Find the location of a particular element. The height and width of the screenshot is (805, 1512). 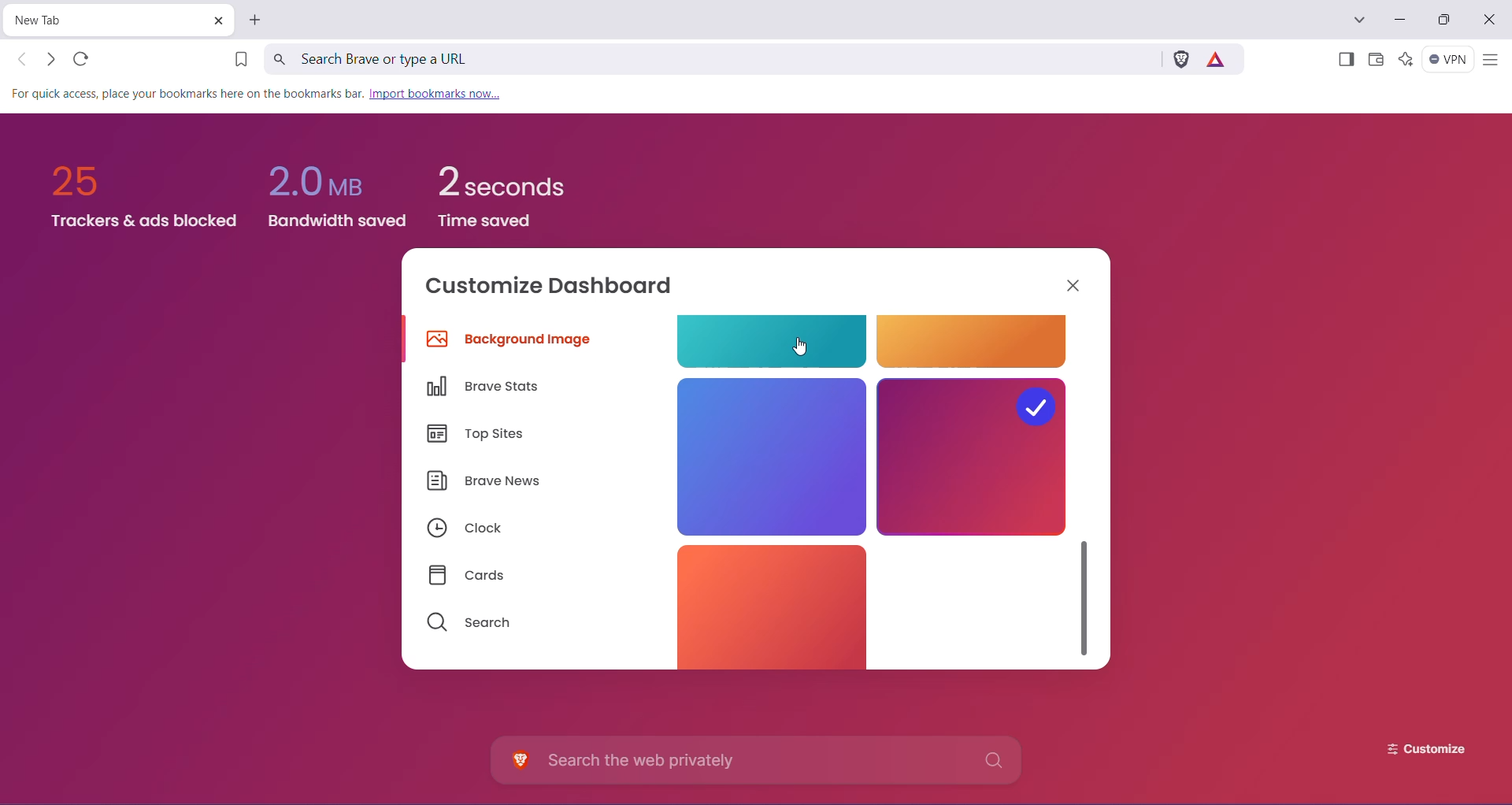

Brave Wallet is located at coordinates (1376, 61).